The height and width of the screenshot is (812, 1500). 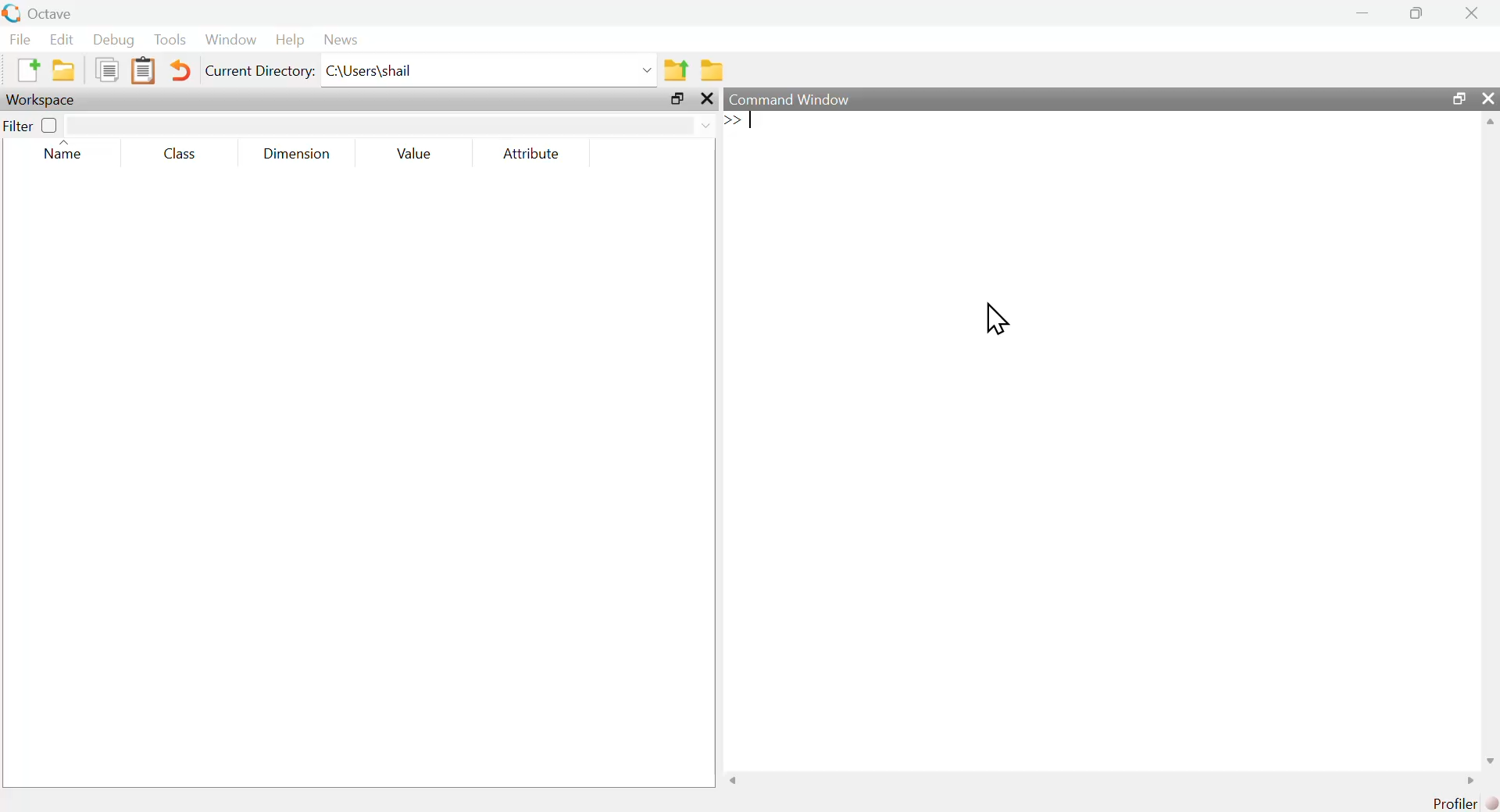 What do you see at coordinates (712, 70) in the screenshot?
I see `Folder` at bounding box center [712, 70].